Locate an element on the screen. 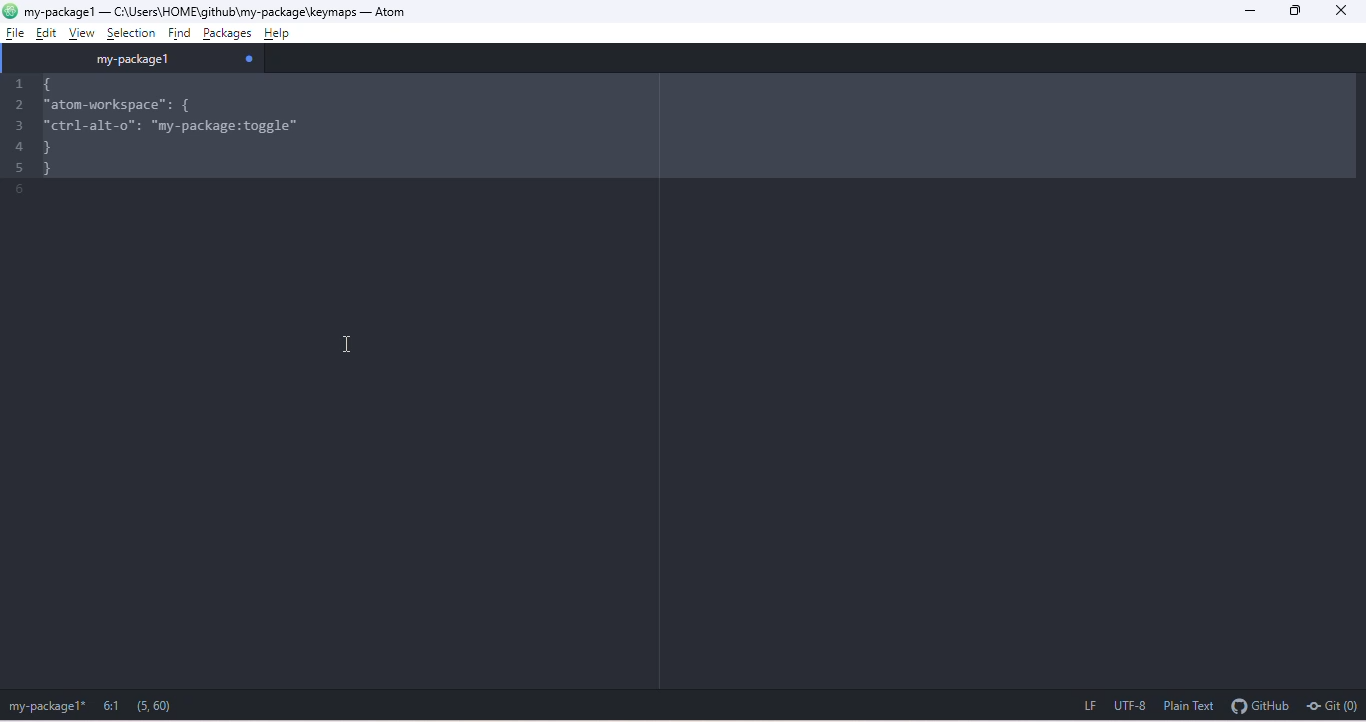 The height and width of the screenshot is (722, 1366). atom logo is located at coordinates (11, 12).